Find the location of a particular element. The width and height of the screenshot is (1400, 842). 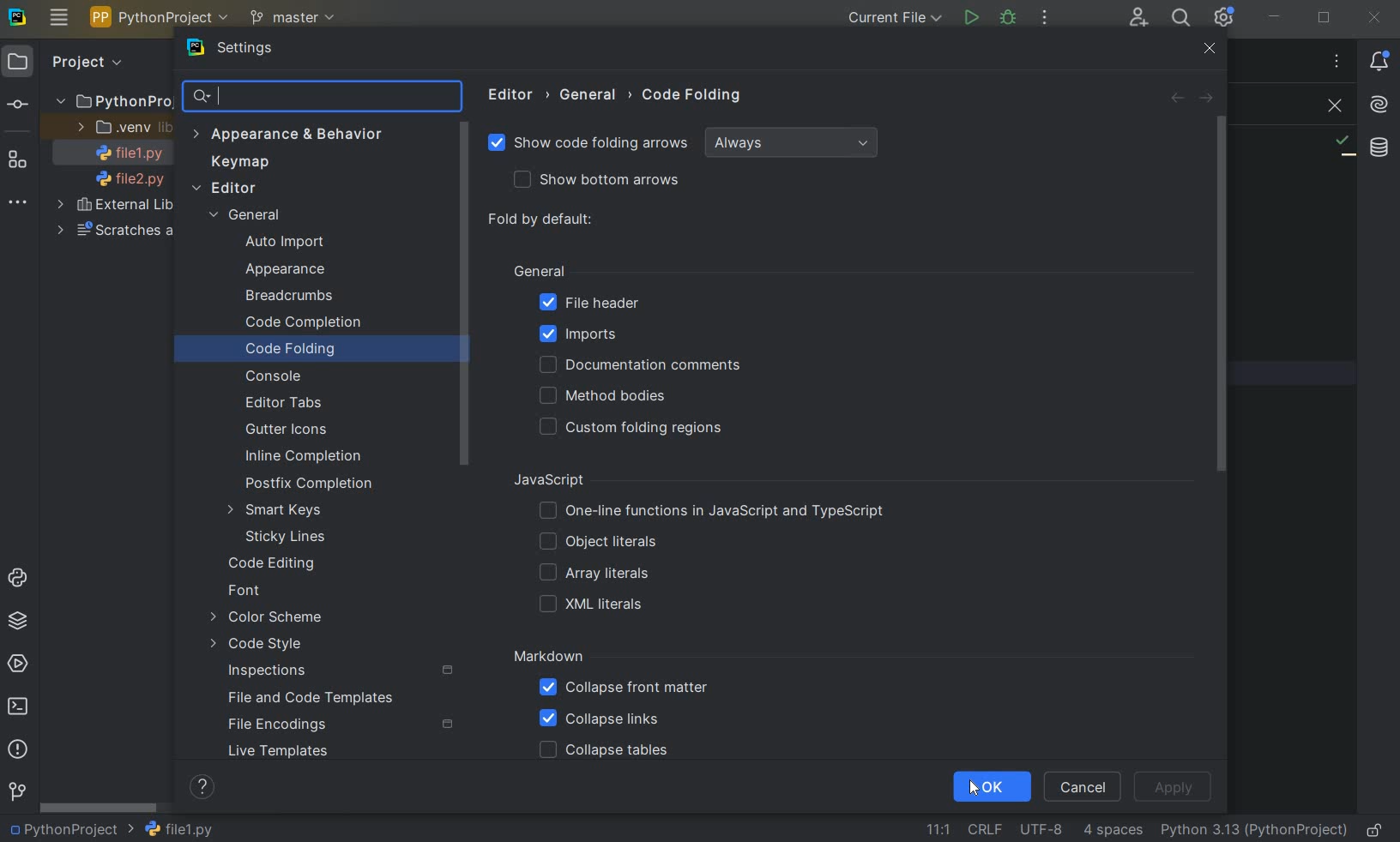

OBJECT LITERALS is located at coordinates (594, 543).